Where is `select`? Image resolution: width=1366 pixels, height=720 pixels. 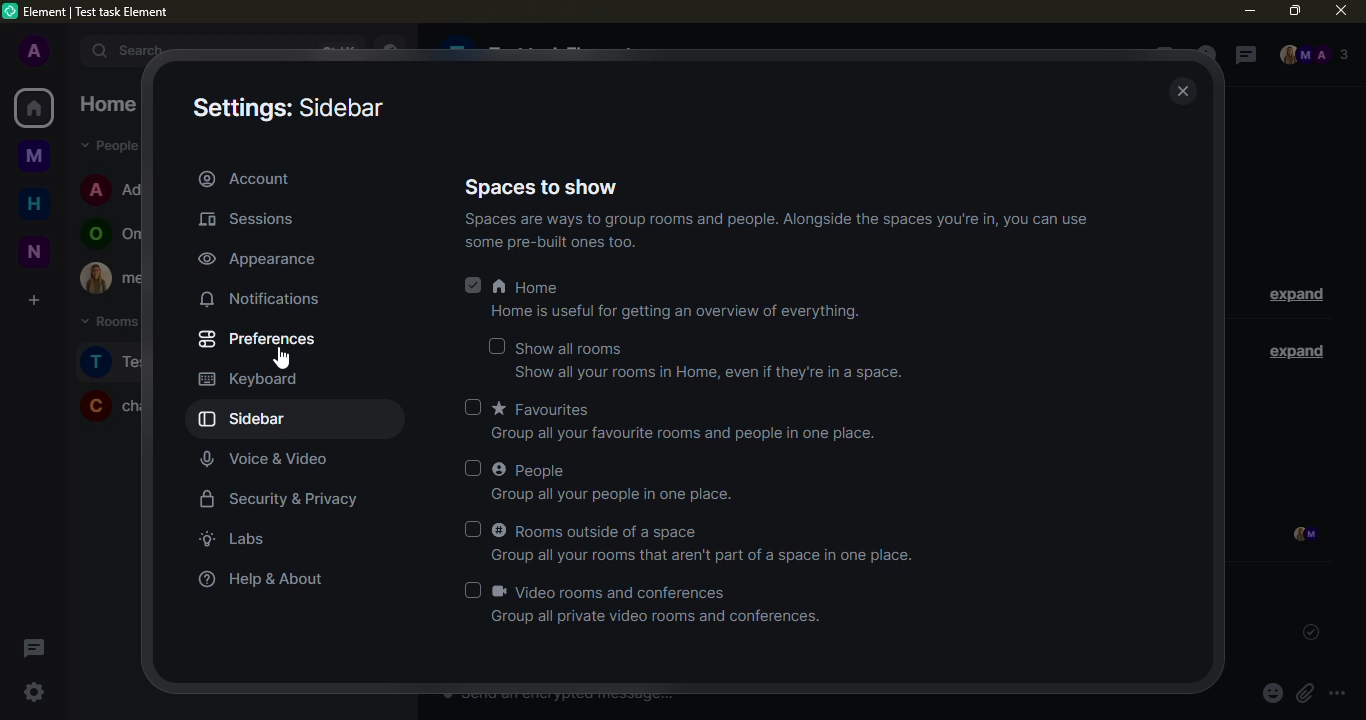 select is located at coordinates (475, 589).